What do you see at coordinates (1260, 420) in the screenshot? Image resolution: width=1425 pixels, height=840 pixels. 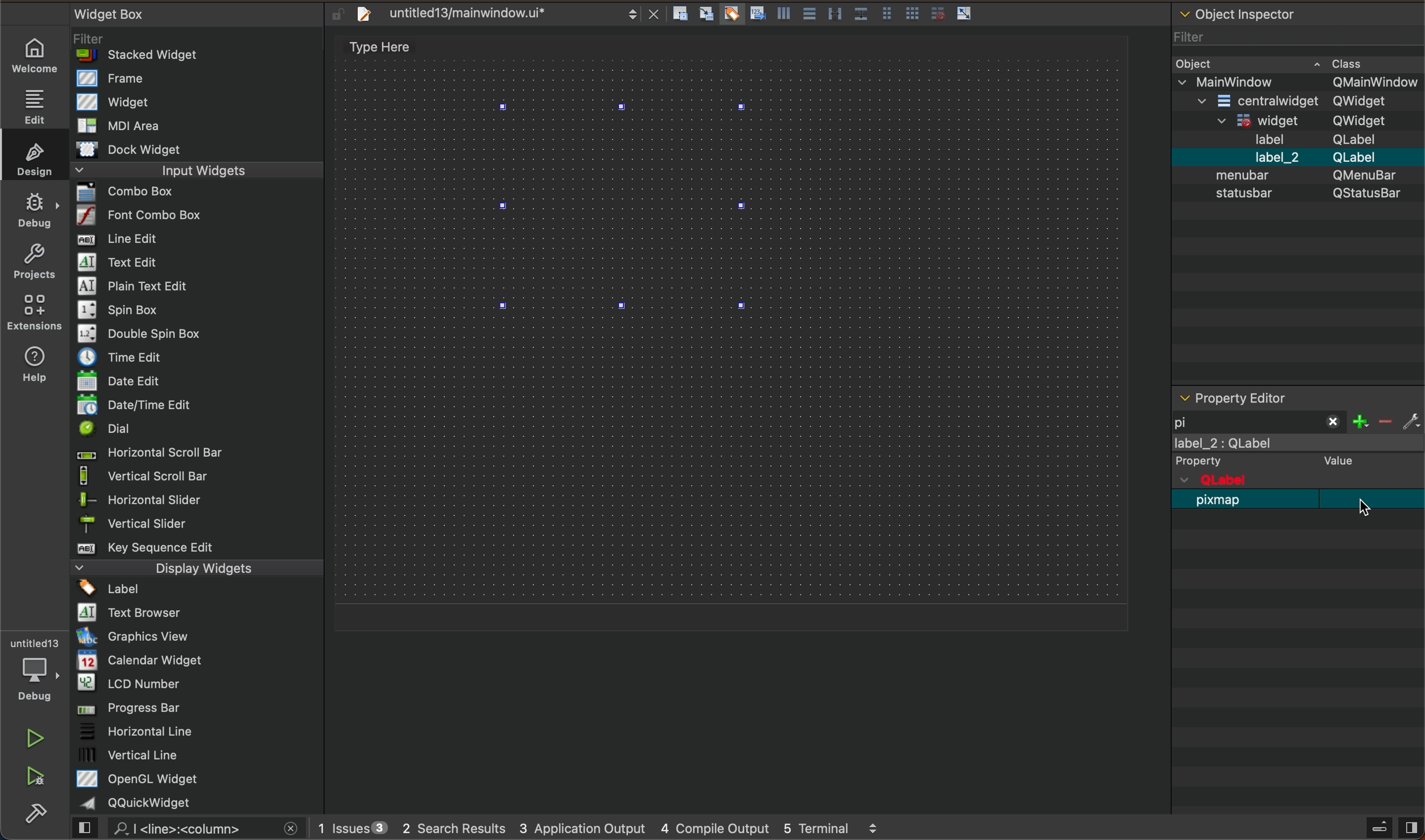 I see `filetr pixmap` at bounding box center [1260, 420].